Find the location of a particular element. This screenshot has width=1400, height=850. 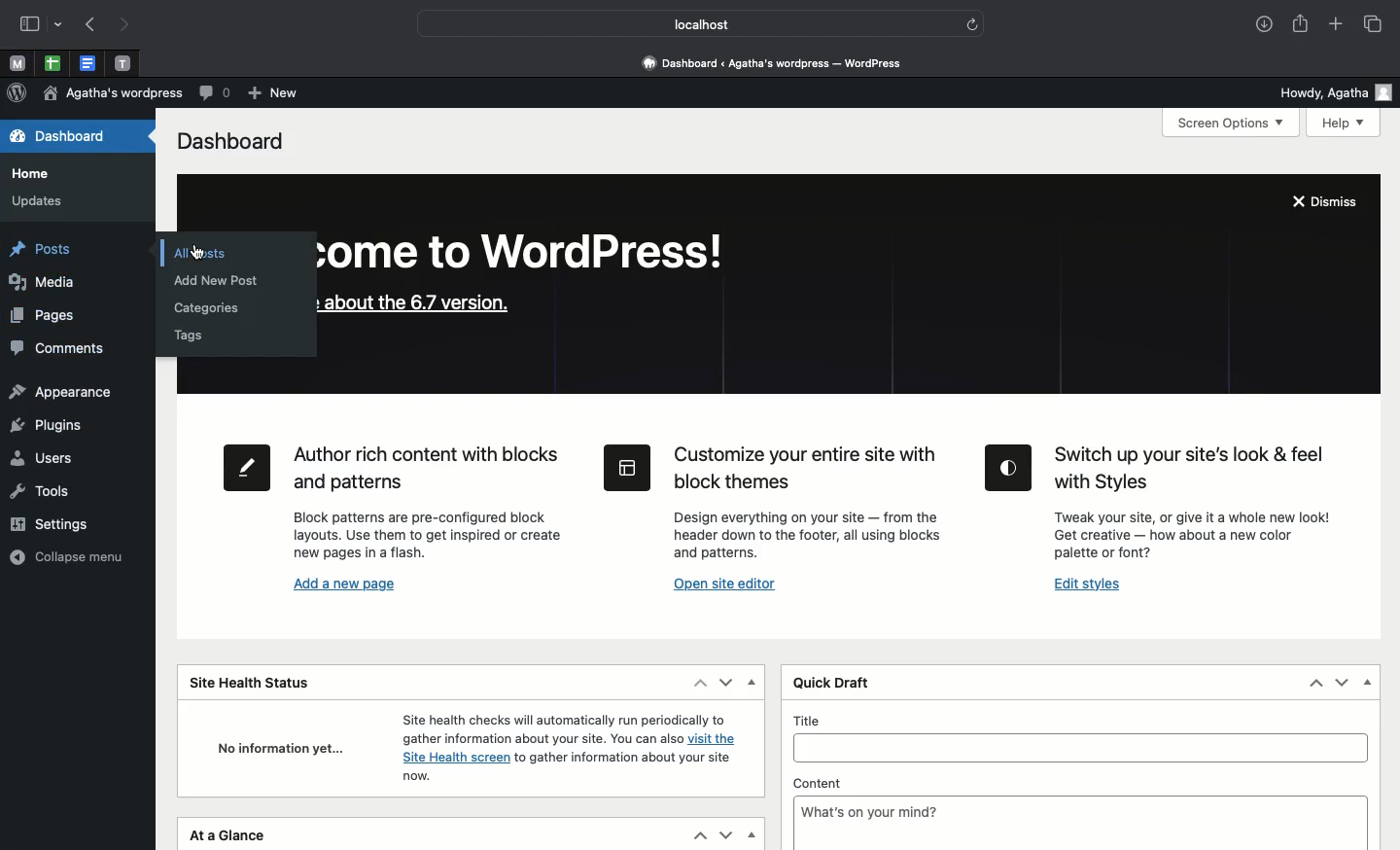

Hide is located at coordinates (751, 833).